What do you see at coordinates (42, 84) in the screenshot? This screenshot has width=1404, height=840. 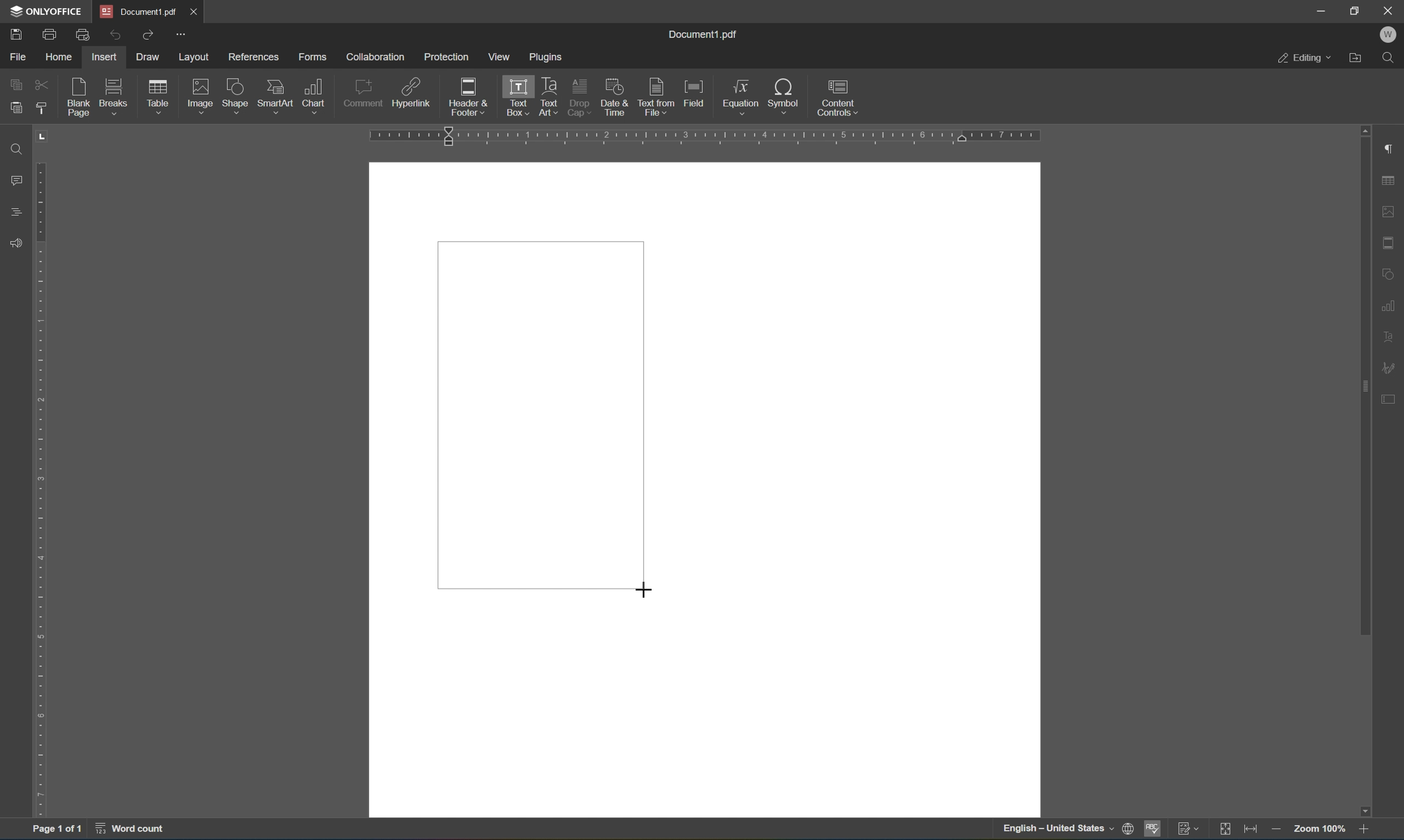 I see `cut` at bounding box center [42, 84].